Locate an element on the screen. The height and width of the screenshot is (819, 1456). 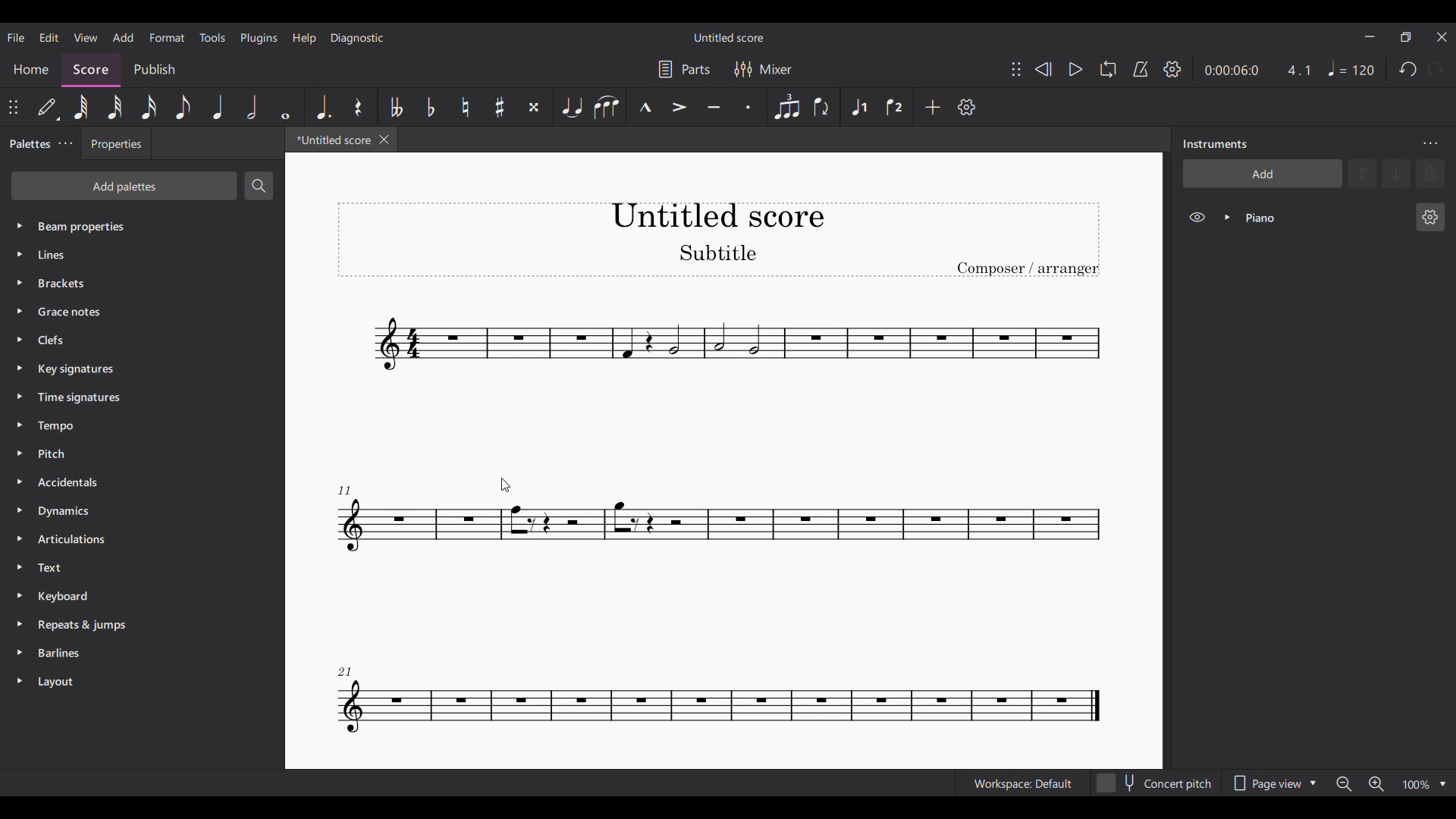
Manage parts is located at coordinates (684, 69).